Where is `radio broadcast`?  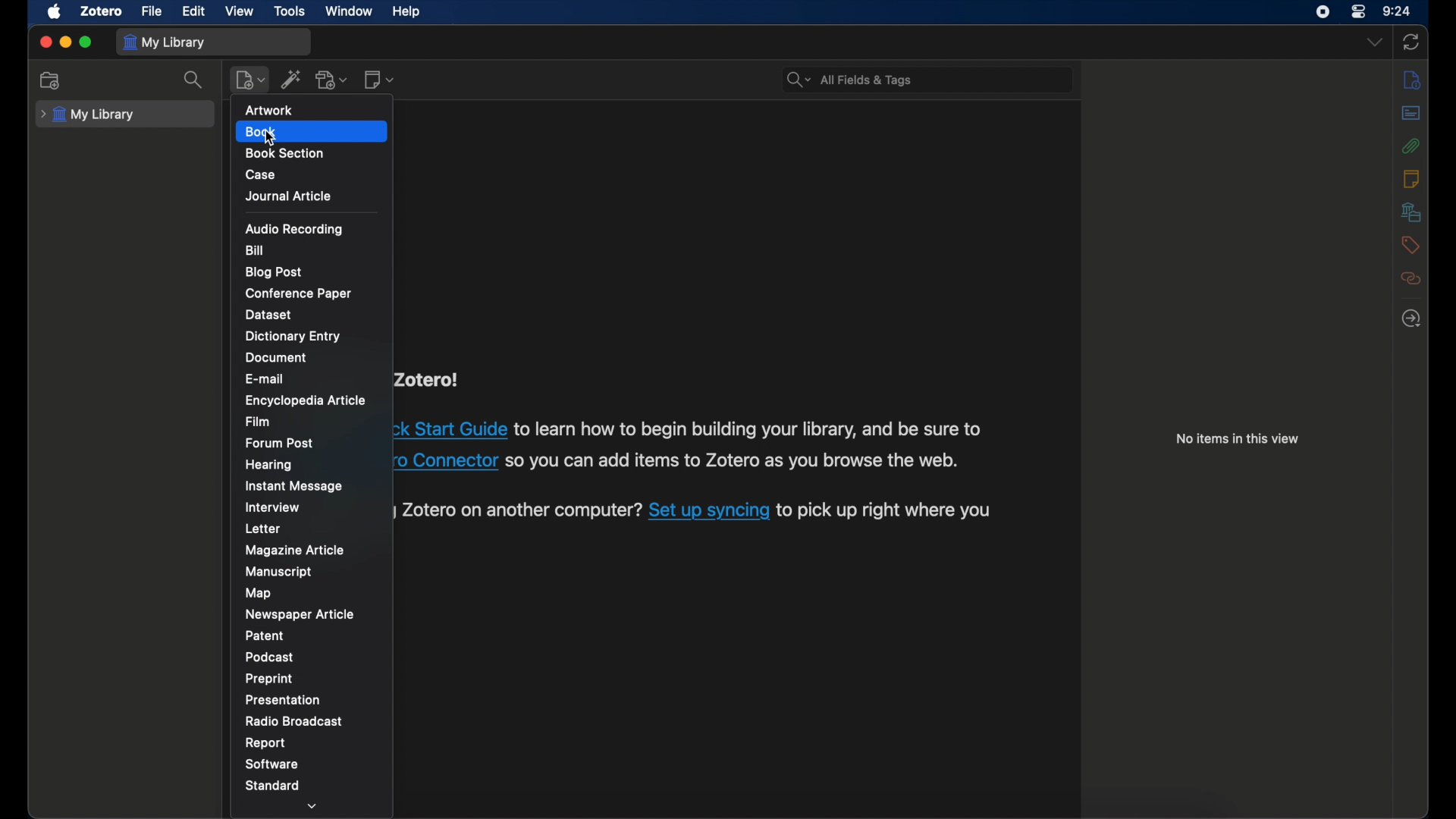
radio broadcast is located at coordinates (295, 720).